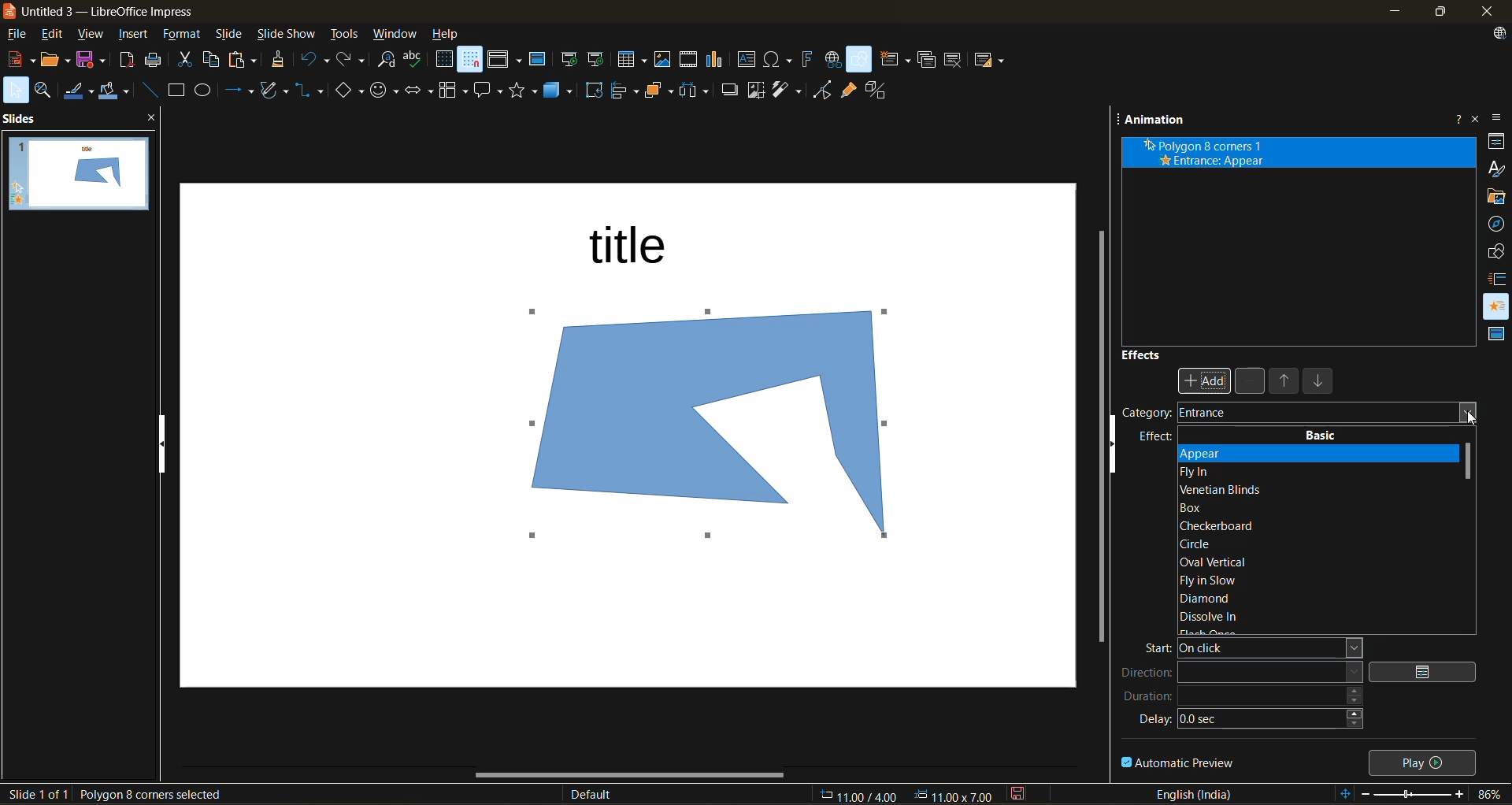  I want to click on find and replace, so click(386, 61).